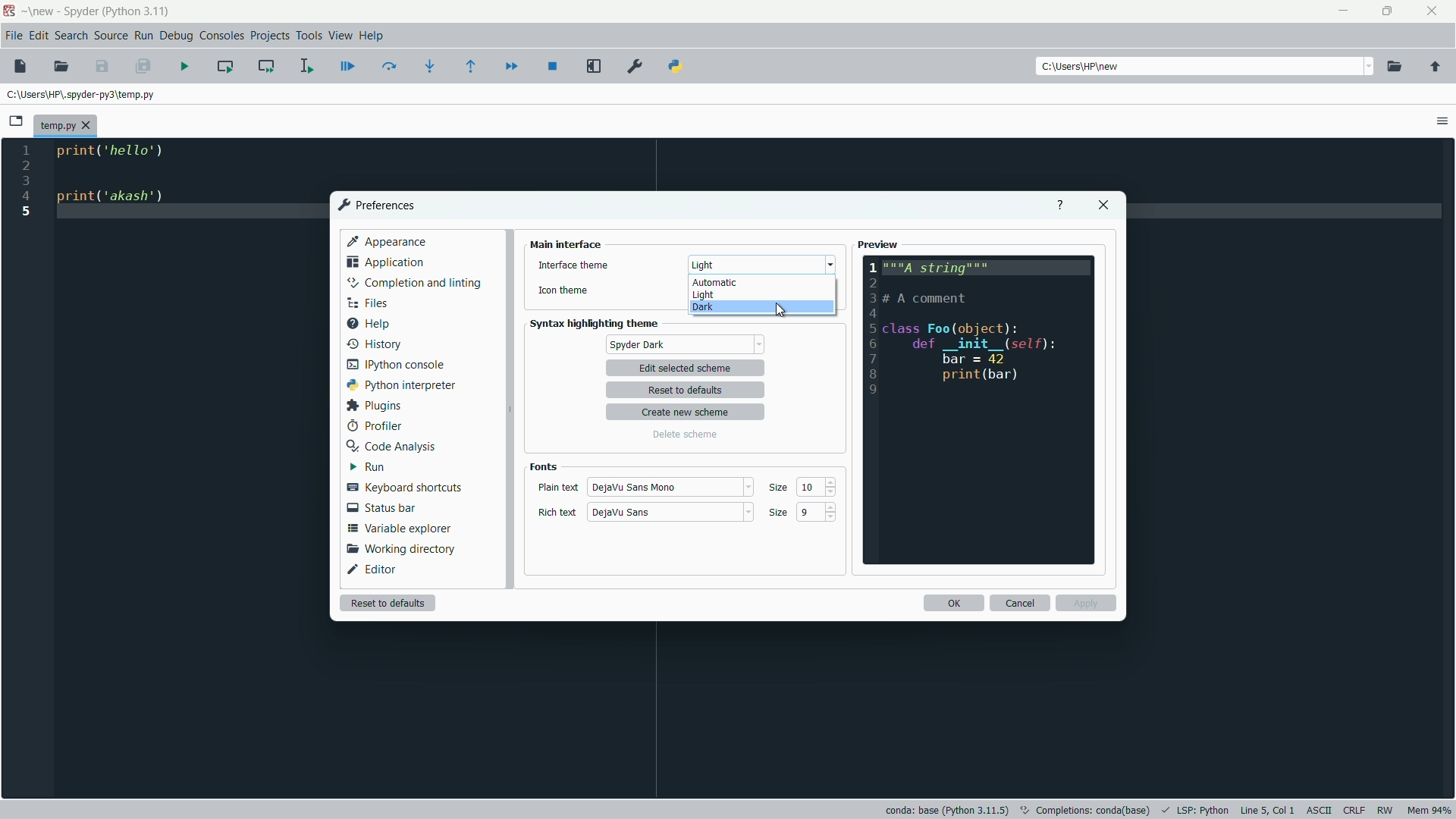 The image size is (1456, 819). I want to click on options, so click(1442, 121).